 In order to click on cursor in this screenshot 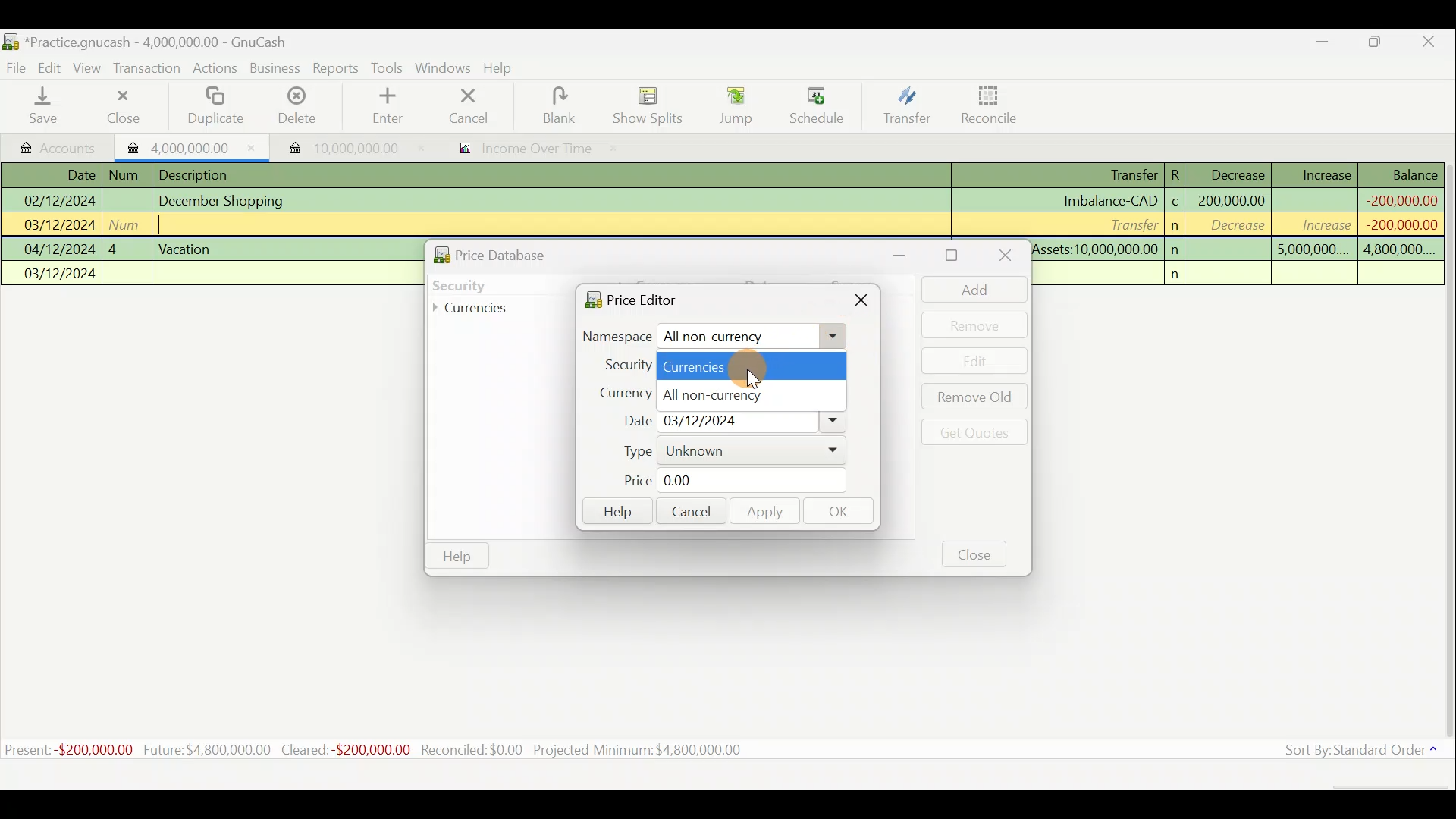, I will do `click(756, 381)`.